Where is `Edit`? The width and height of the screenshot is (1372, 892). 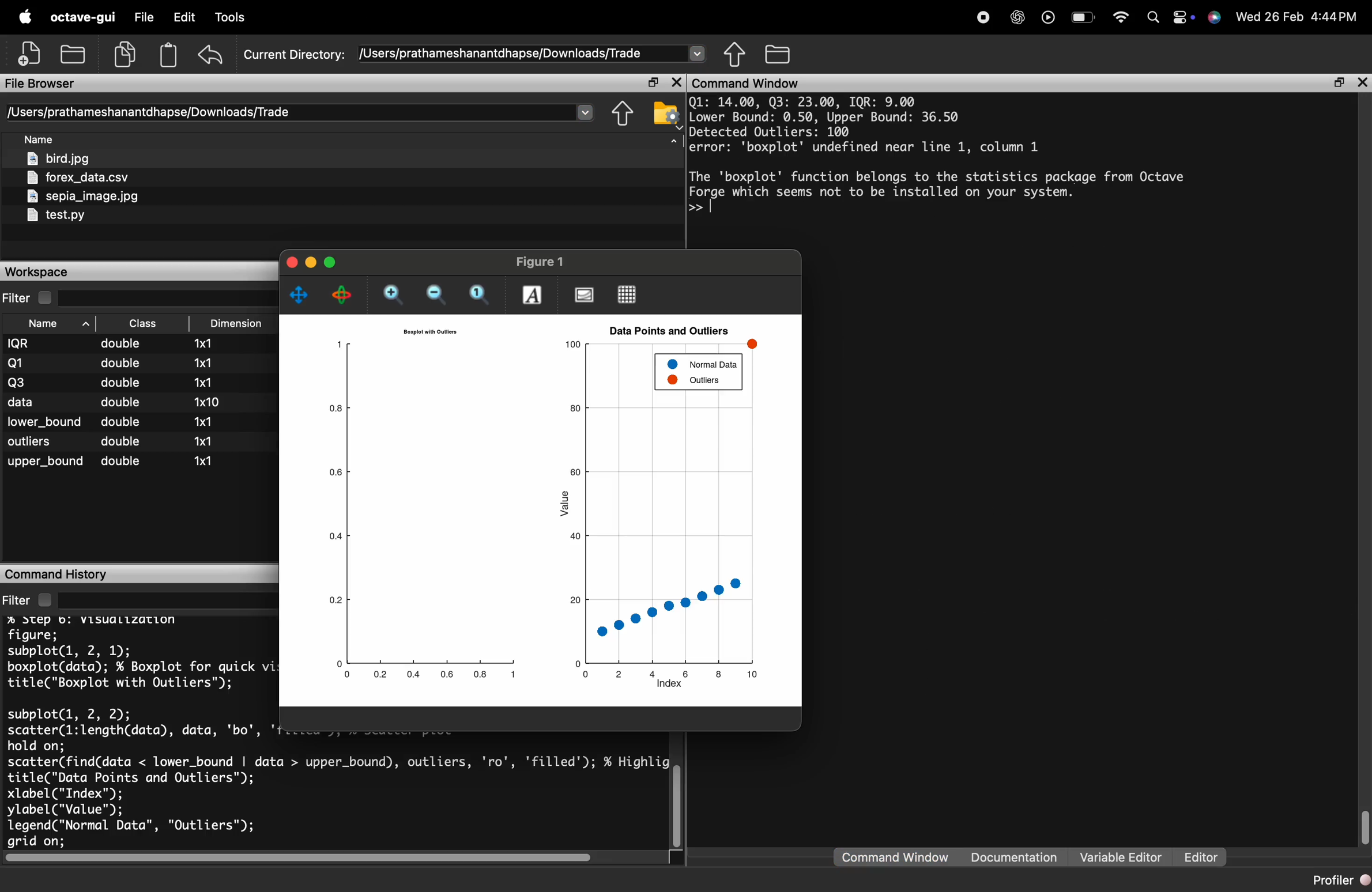 Edit is located at coordinates (184, 16).